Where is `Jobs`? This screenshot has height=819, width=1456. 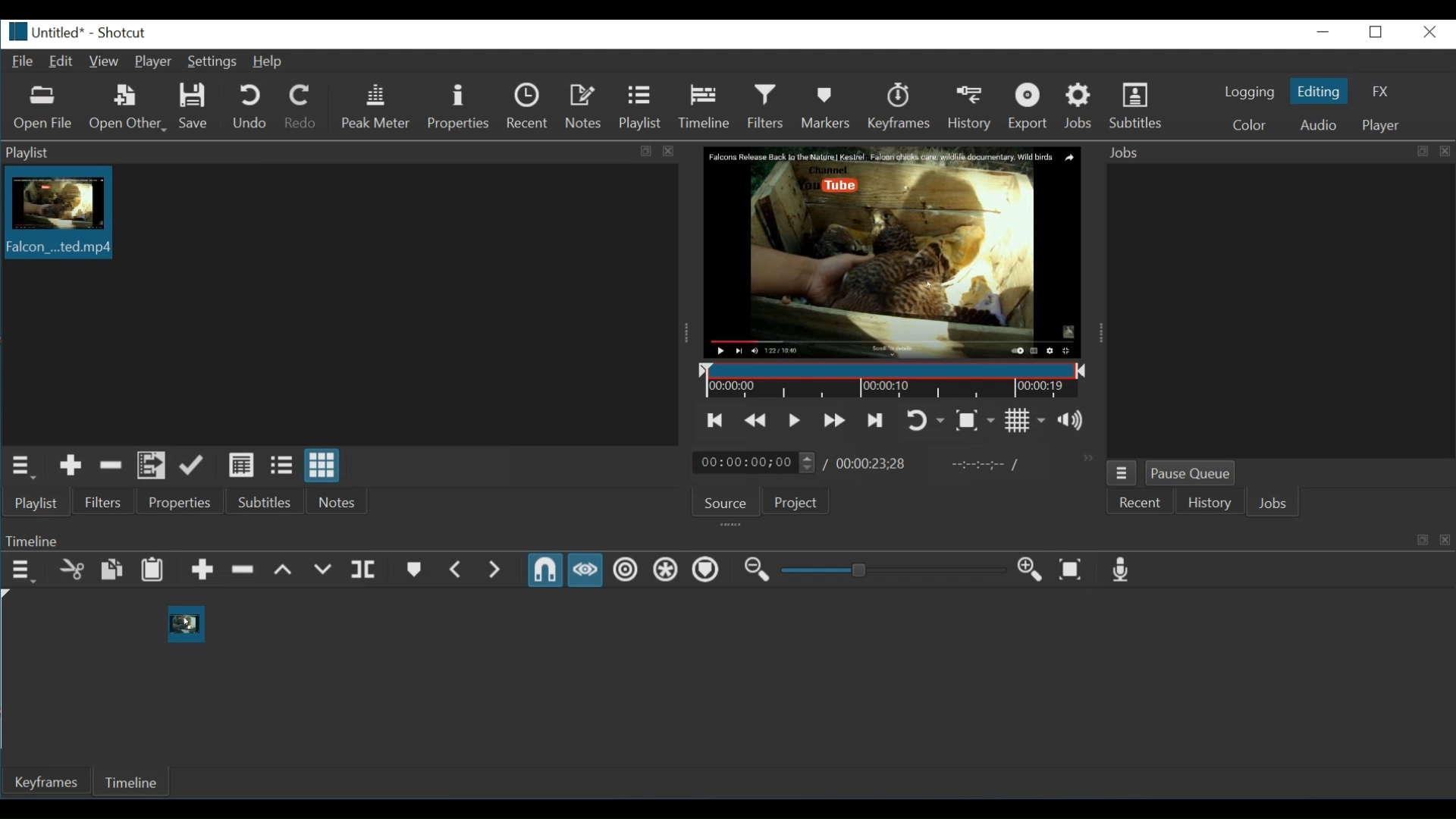
Jobs is located at coordinates (1080, 106).